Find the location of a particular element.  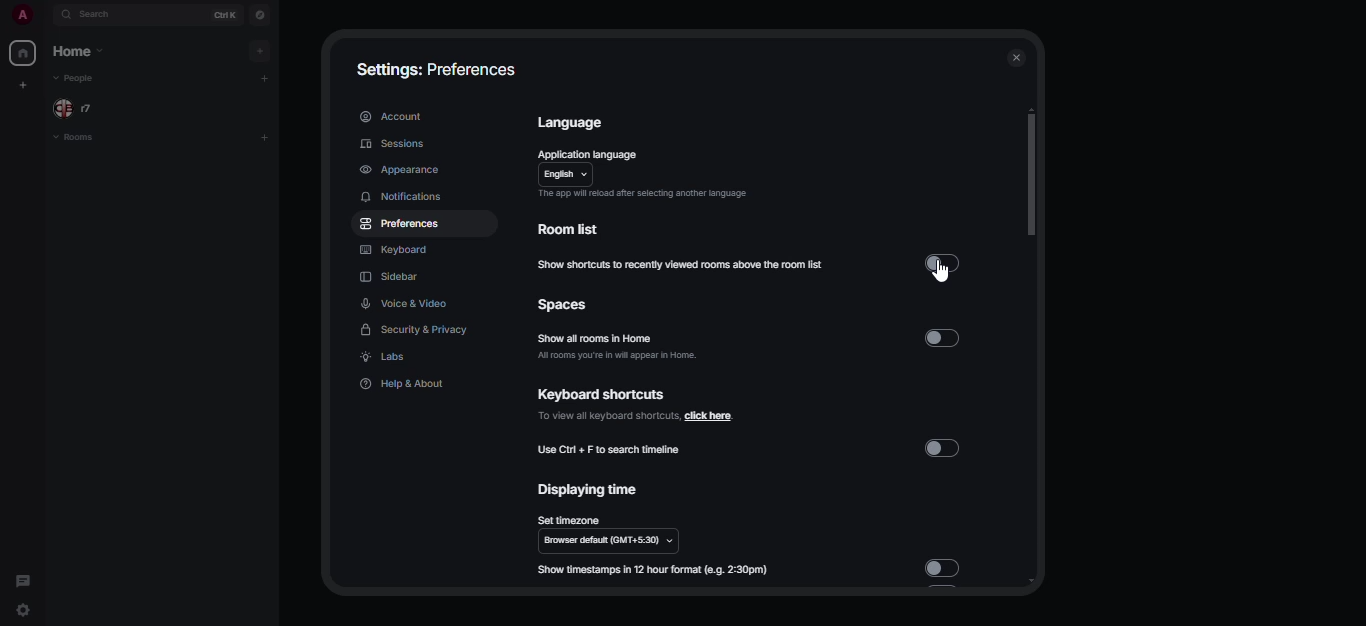

show all rooms in home is located at coordinates (599, 339).